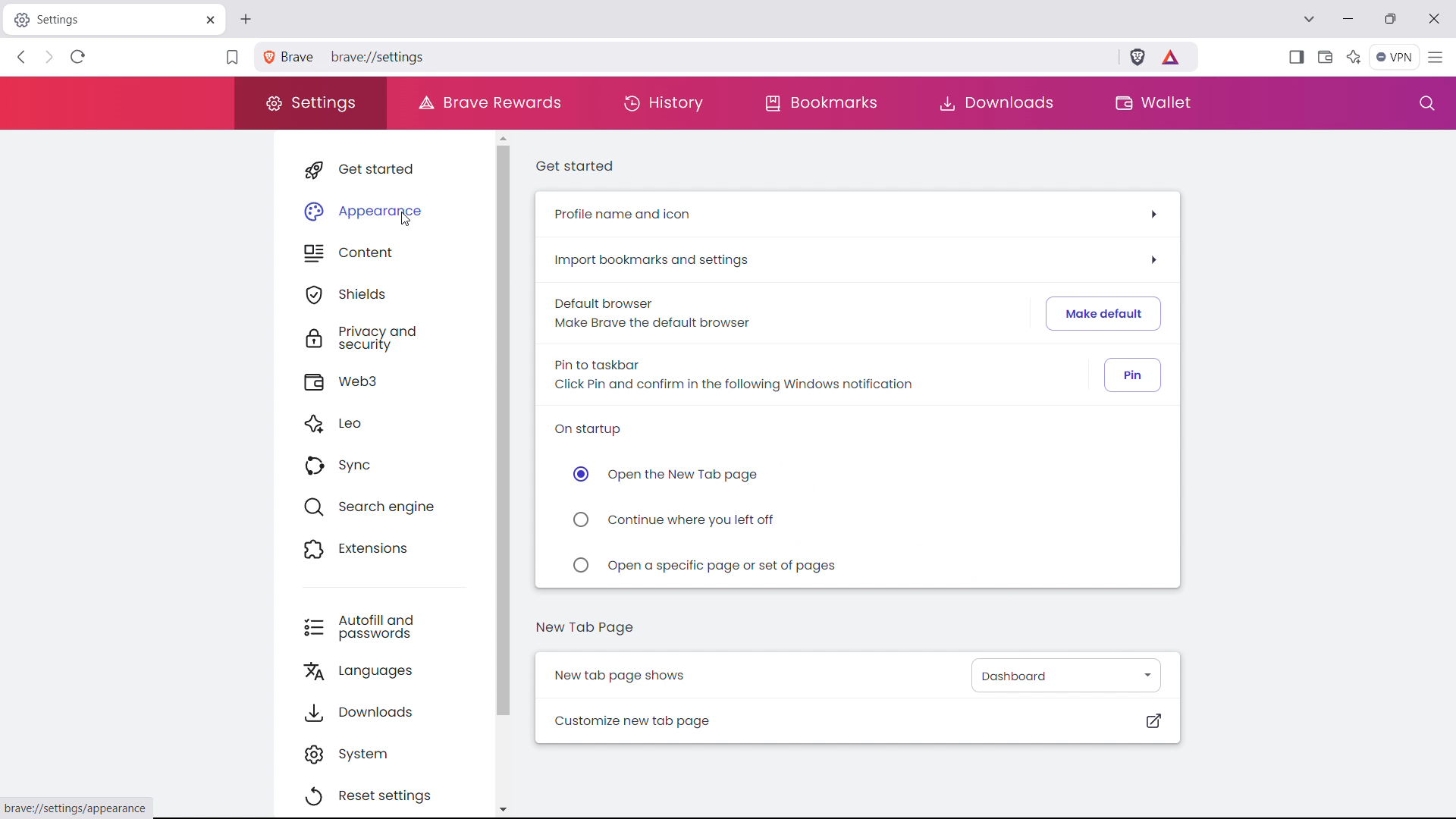 The height and width of the screenshot is (819, 1456). What do you see at coordinates (381, 792) in the screenshot?
I see `reset settings` at bounding box center [381, 792].